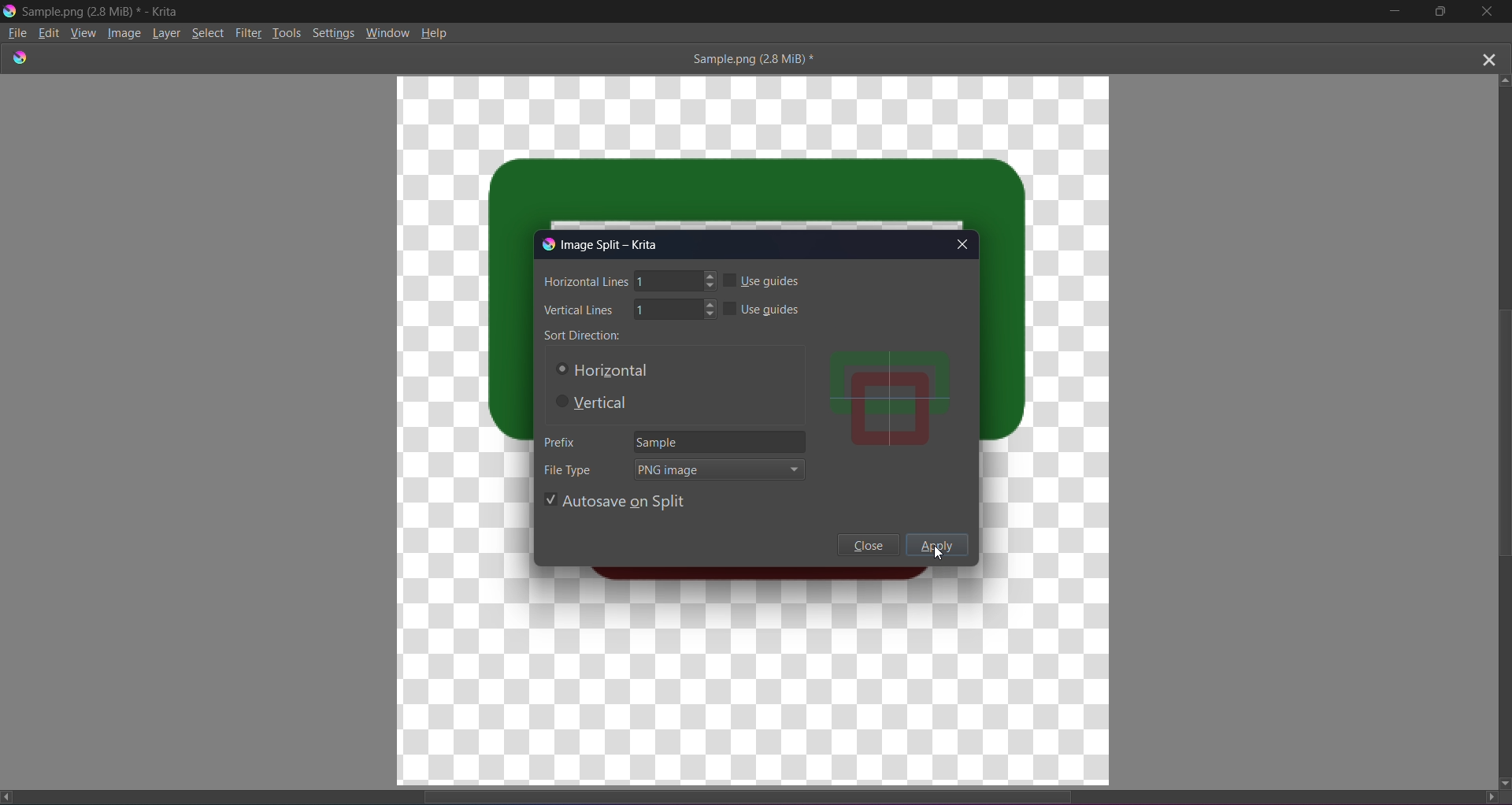  I want to click on image Split - Krita, so click(613, 243).